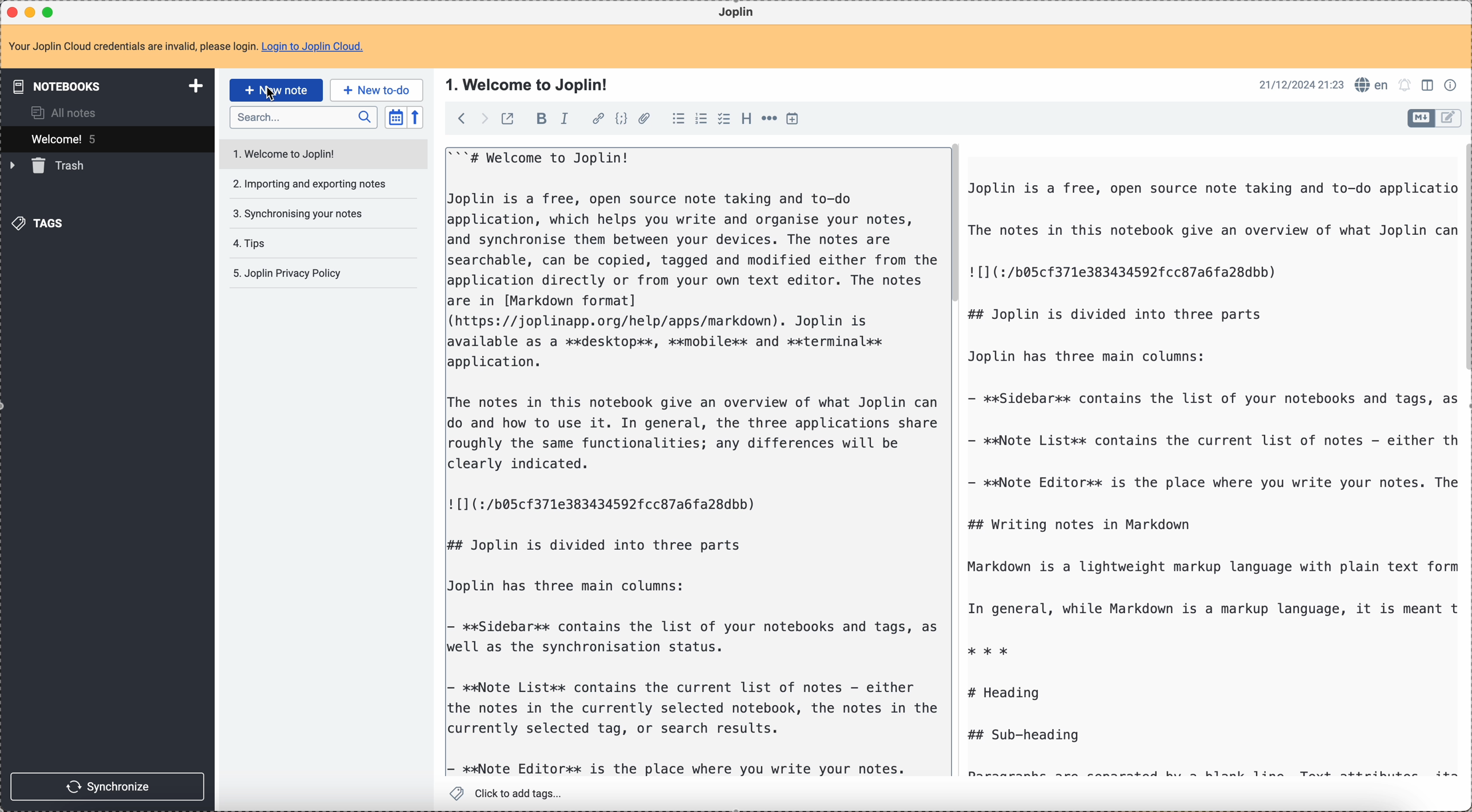 The height and width of the screenshot is (812, 1472). What do you see at coordinates (14, 12) in the screenshot?
I see `close Joplin` at bounding box center [14, 12].